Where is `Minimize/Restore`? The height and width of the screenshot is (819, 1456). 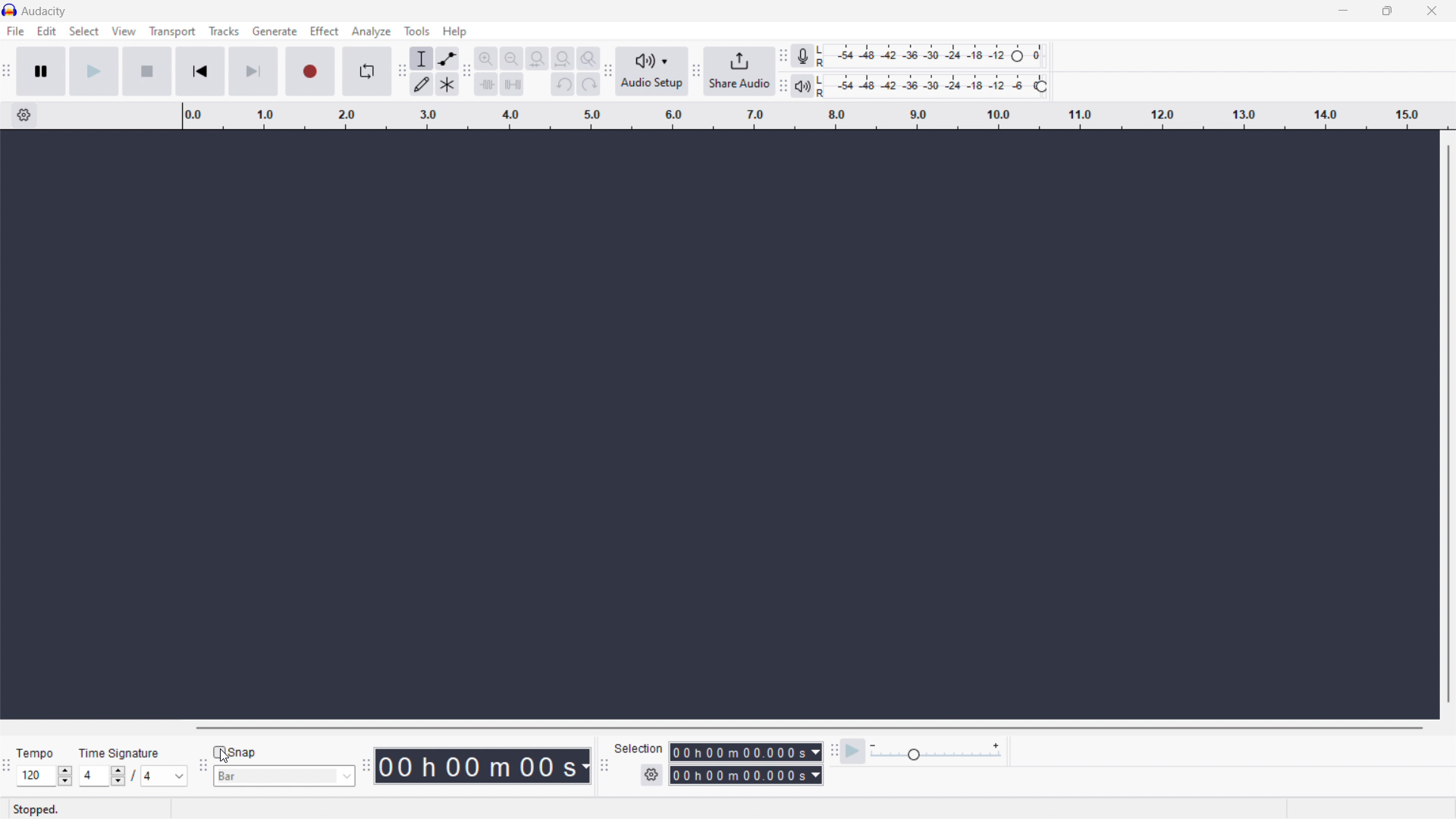
Minimize/Restore is located at coordinates (1387, 11).